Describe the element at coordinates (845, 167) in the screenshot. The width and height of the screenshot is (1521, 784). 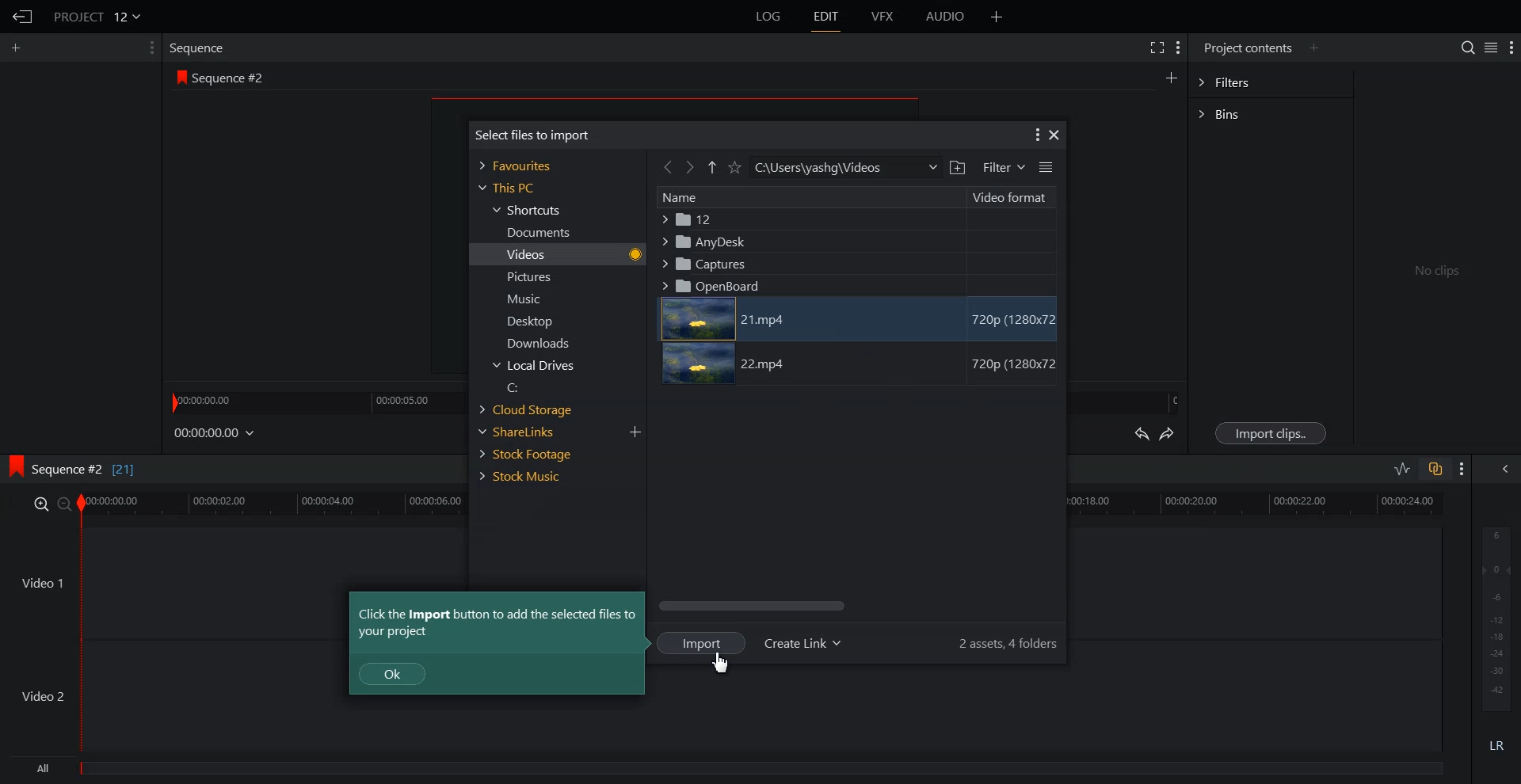
I see `File Path Address` at that location.